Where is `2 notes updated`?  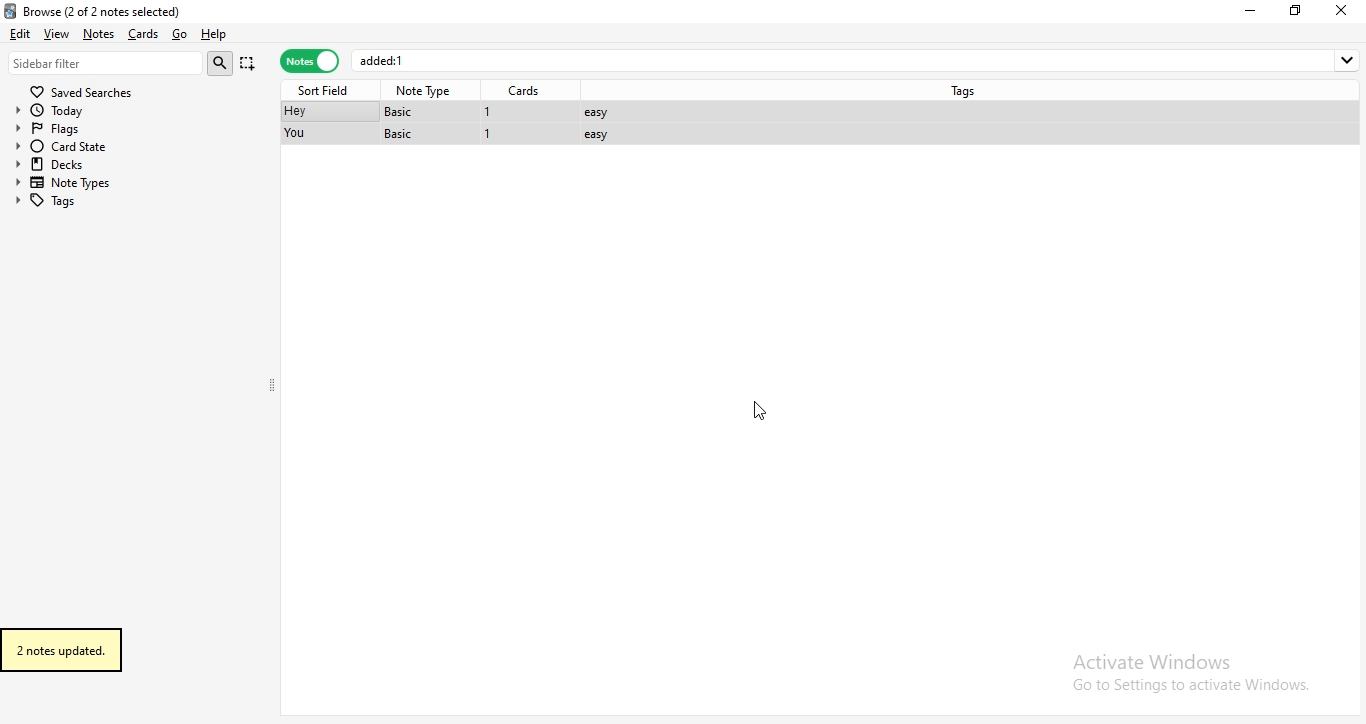
2 notes updated is located at coordinates (76, 650).